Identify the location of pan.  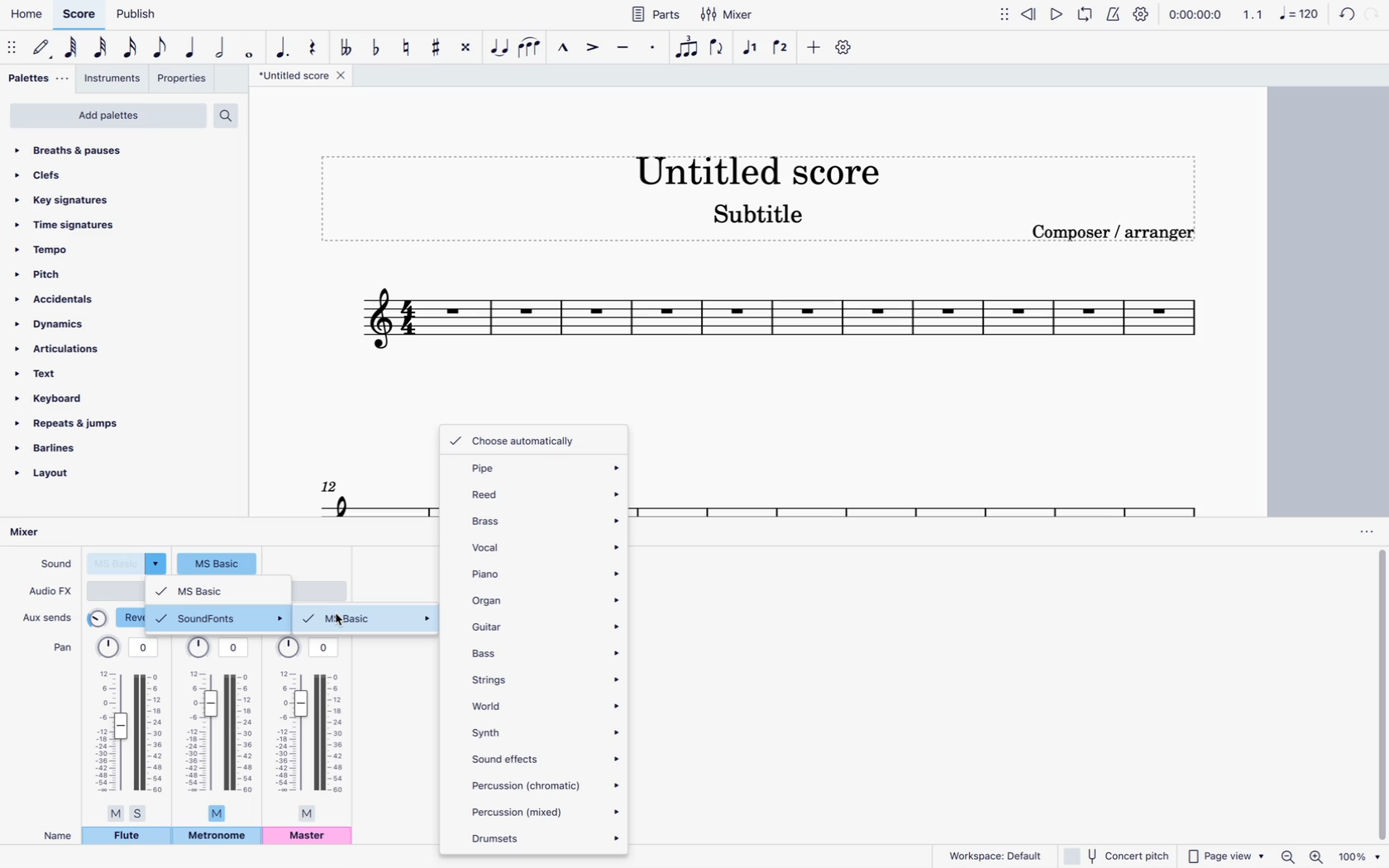
(219, 727).